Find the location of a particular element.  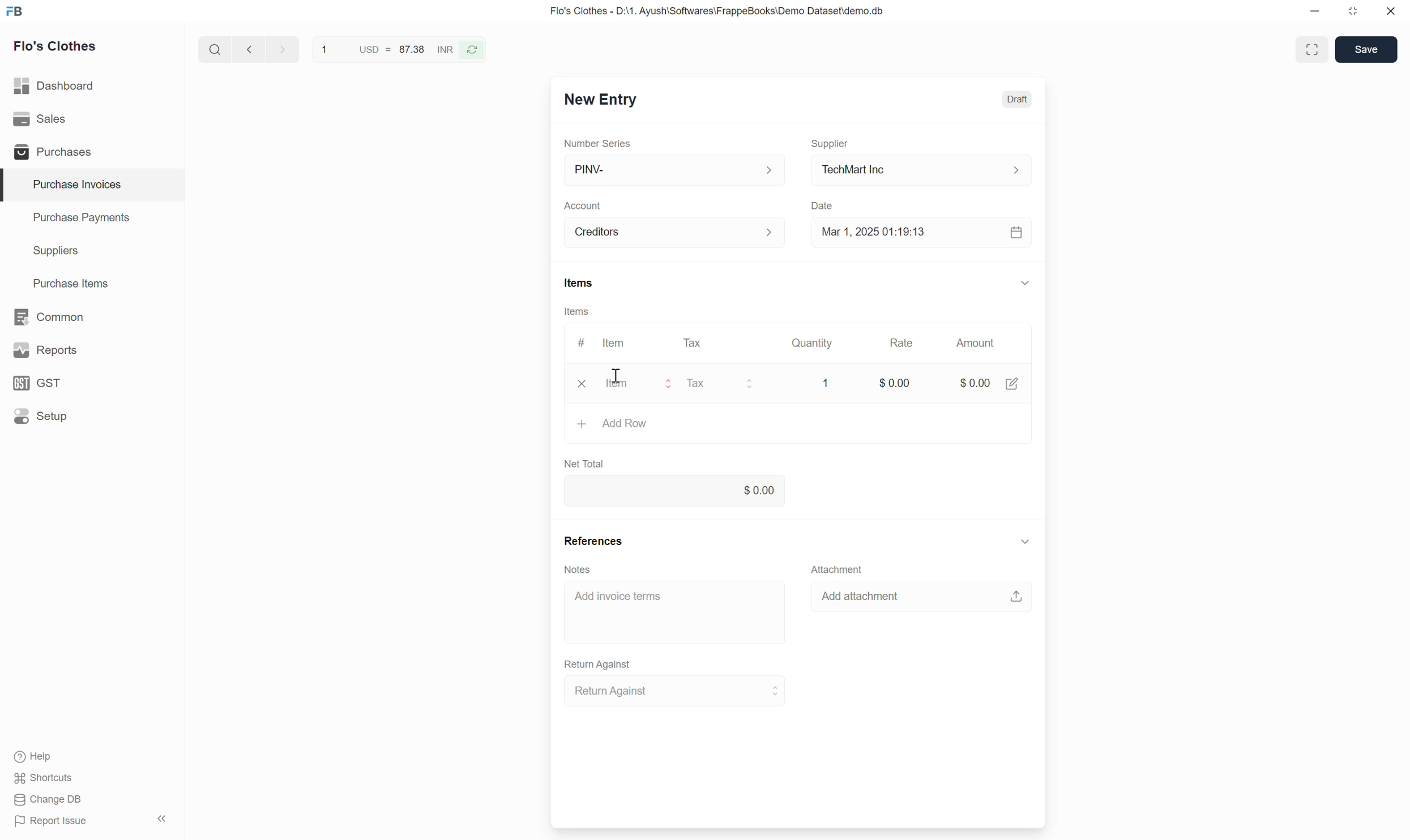

$0.00 is located at coordinates (673, 492).